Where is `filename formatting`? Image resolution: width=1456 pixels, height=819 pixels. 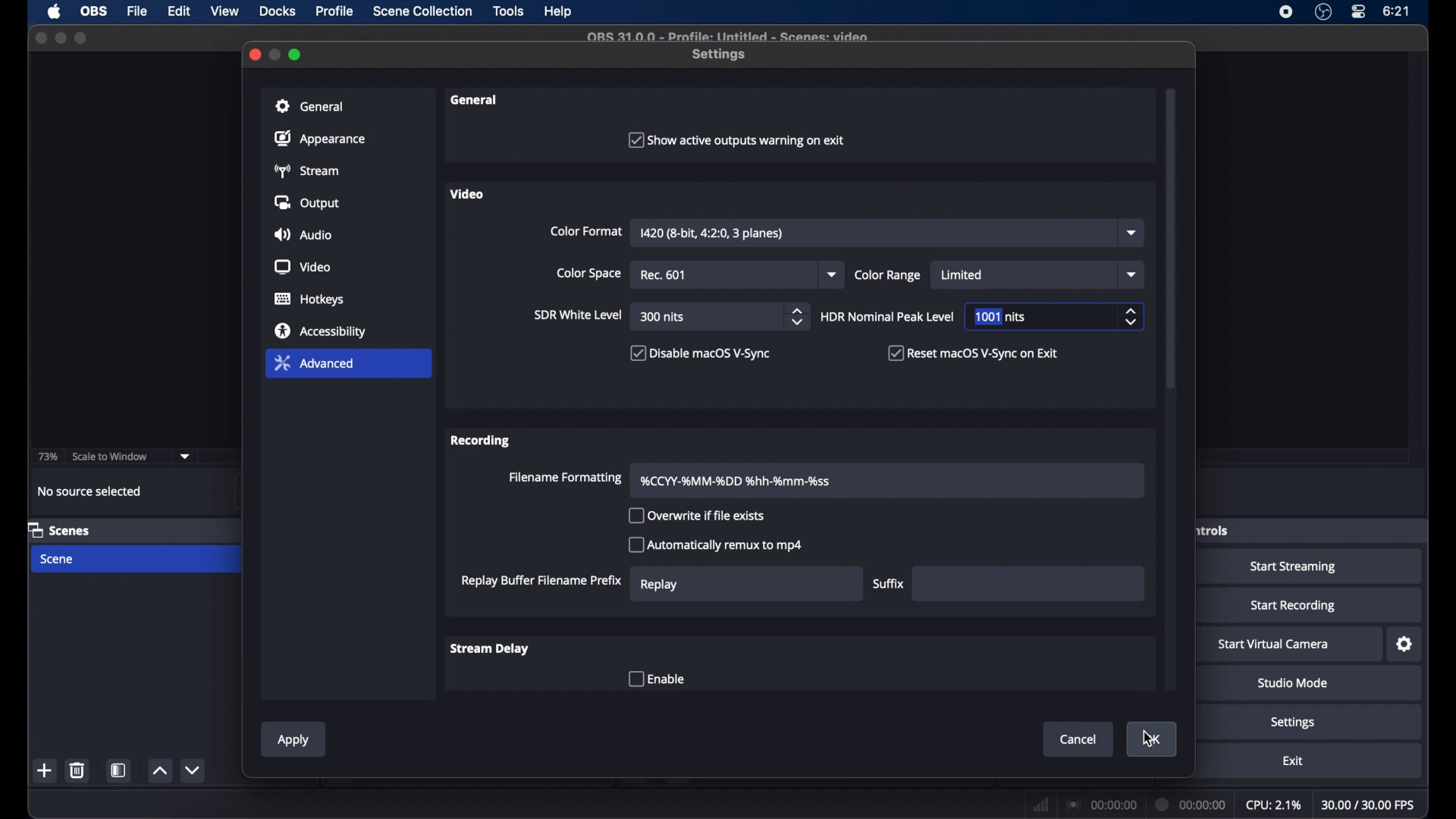 filename formatting is located at coordinates (736, 481).